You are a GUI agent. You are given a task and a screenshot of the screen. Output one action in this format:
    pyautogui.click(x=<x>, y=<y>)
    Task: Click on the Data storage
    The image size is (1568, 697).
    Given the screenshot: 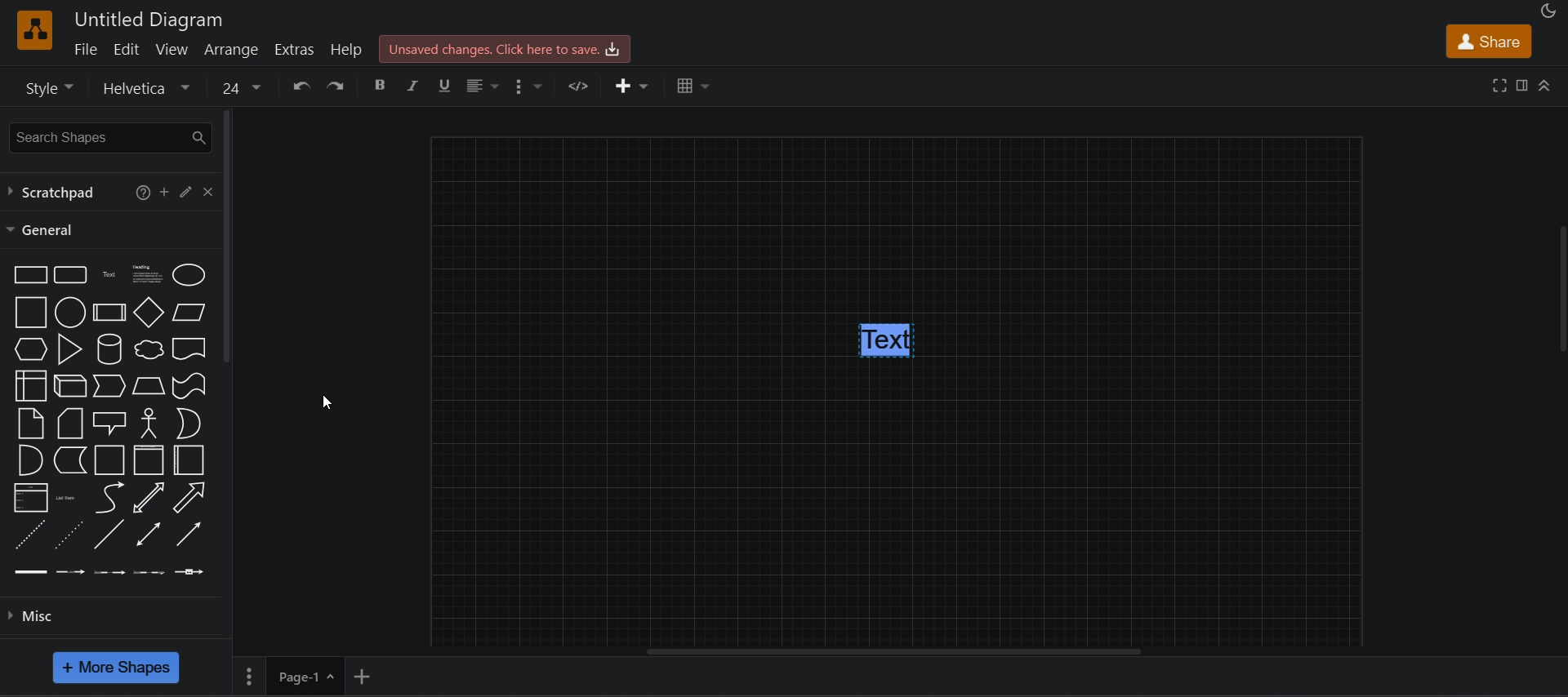 What is the action you would take?
    pyautogui.click(x=70, y=459)
    